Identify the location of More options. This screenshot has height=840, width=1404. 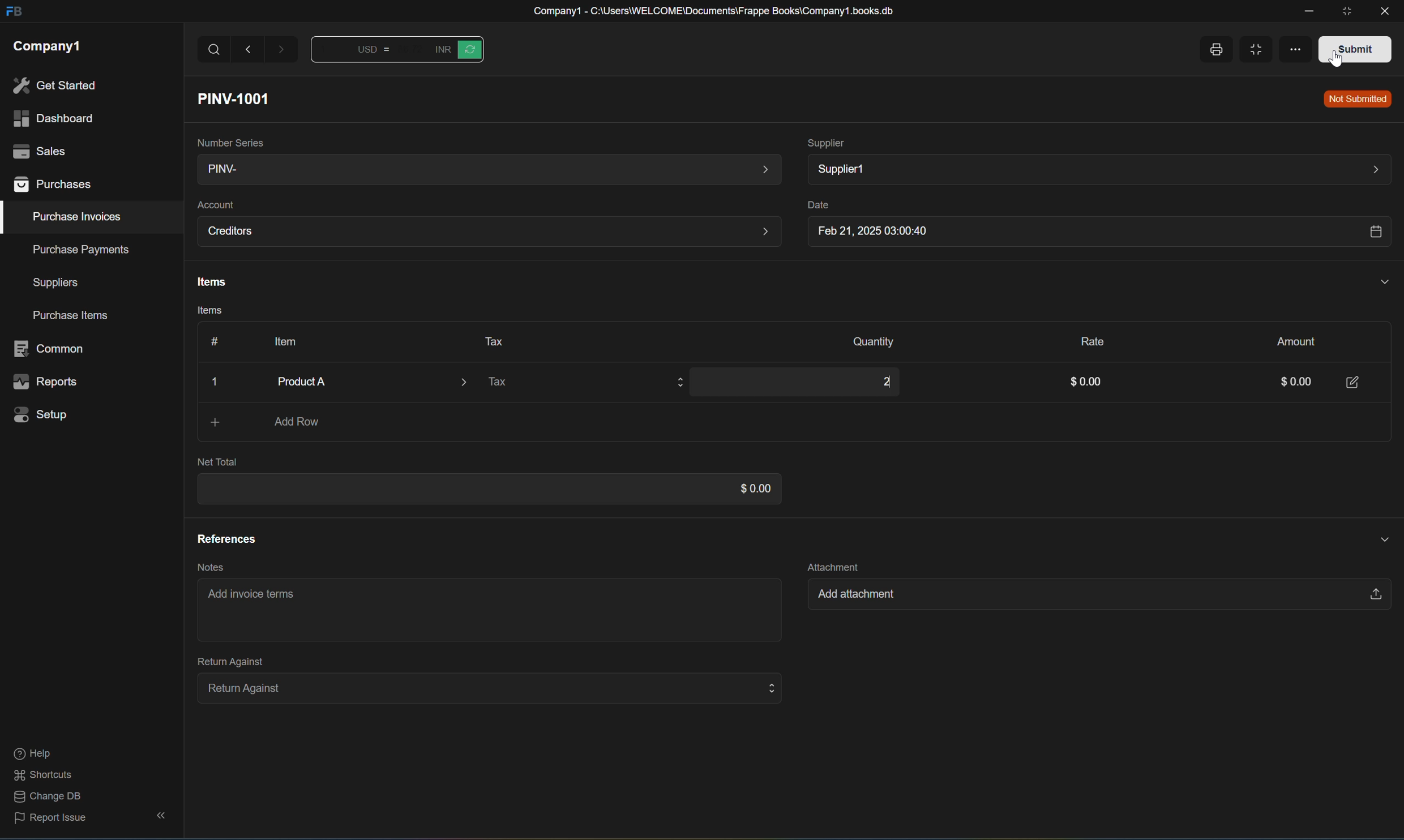
(1295, 49).